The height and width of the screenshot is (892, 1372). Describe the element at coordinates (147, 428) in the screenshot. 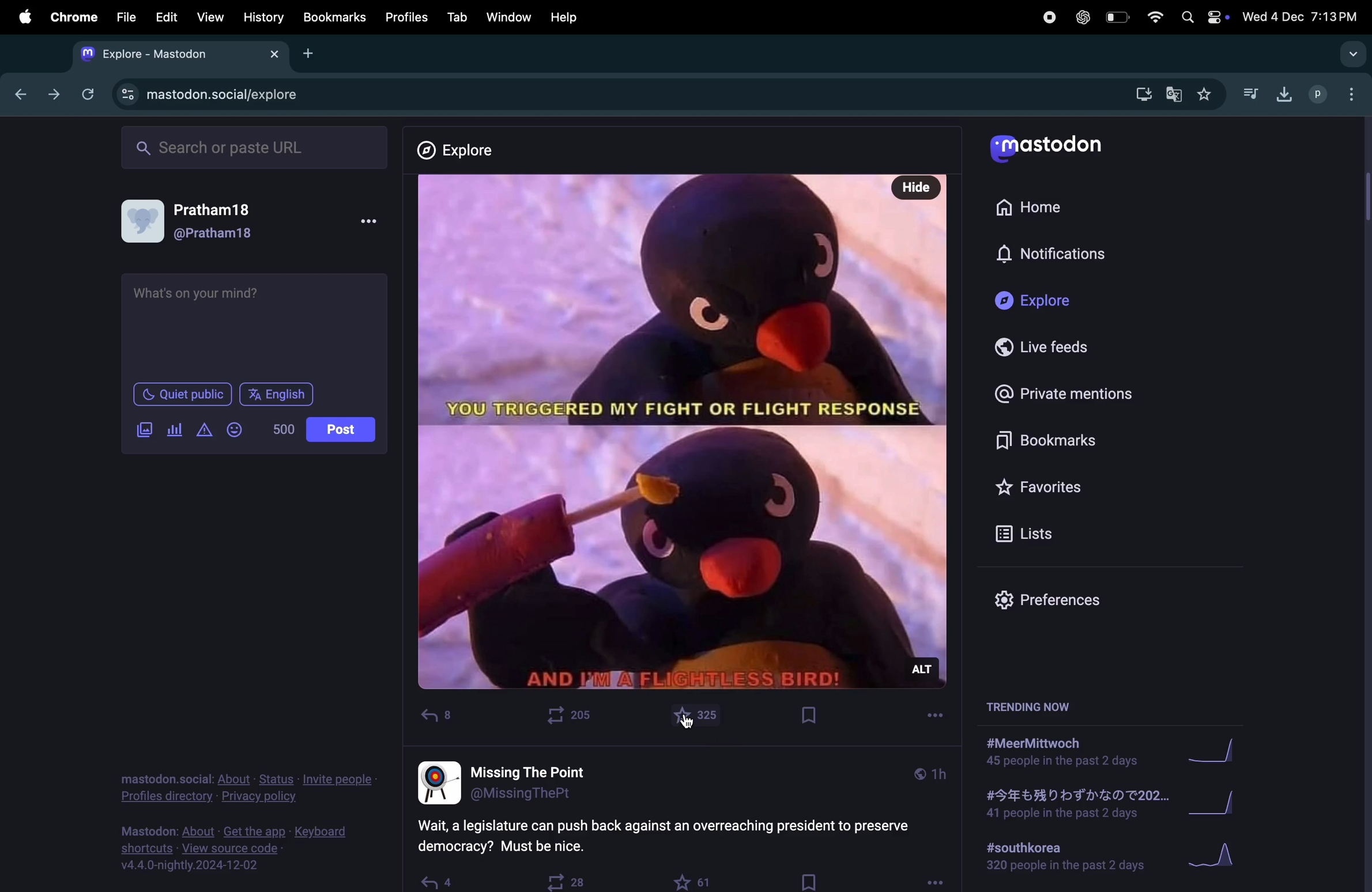

I see ` add image` at that location.